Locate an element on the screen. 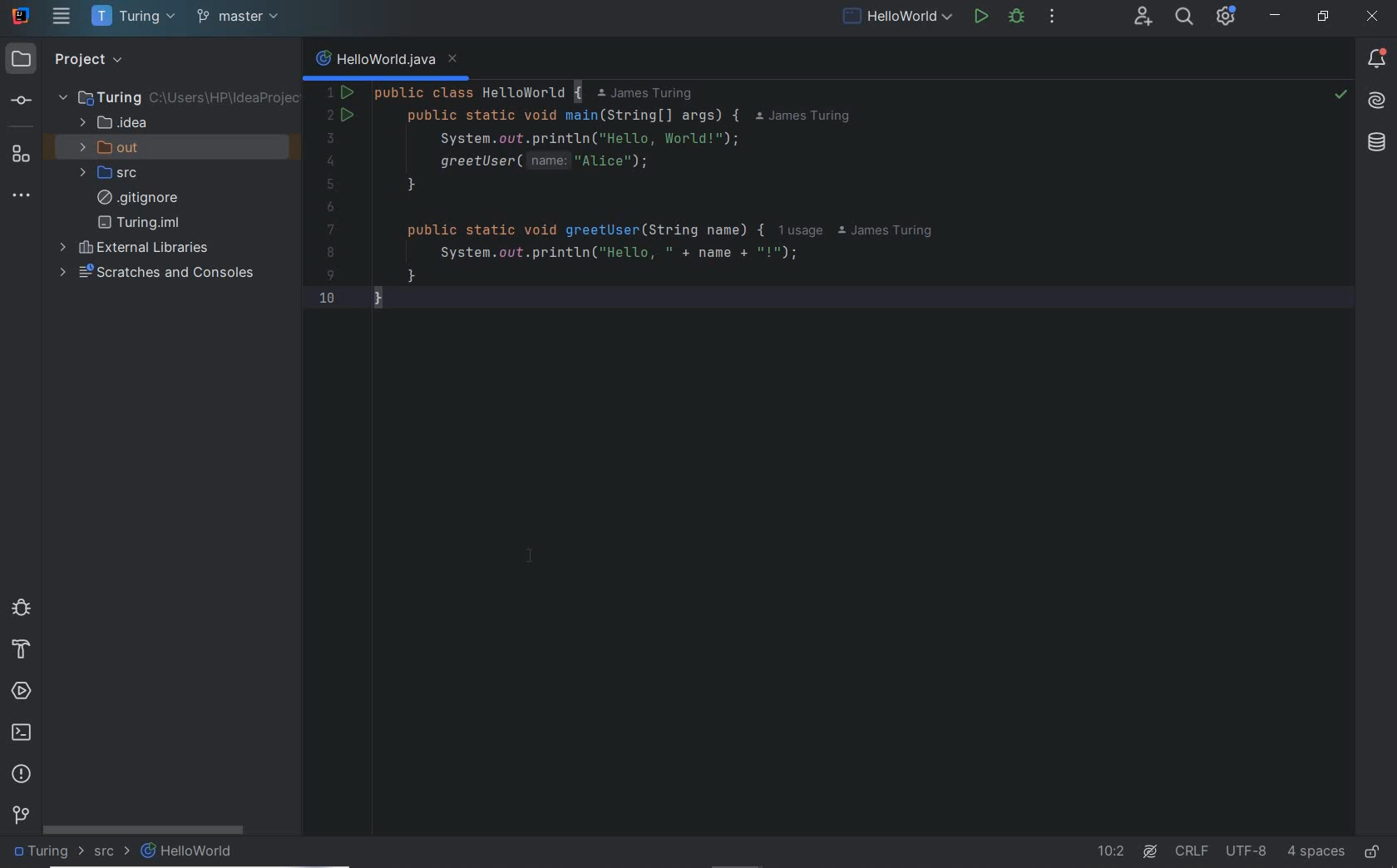 This screenshot has height=868, width=1397. Application logo is located at coordinates (22, 15).